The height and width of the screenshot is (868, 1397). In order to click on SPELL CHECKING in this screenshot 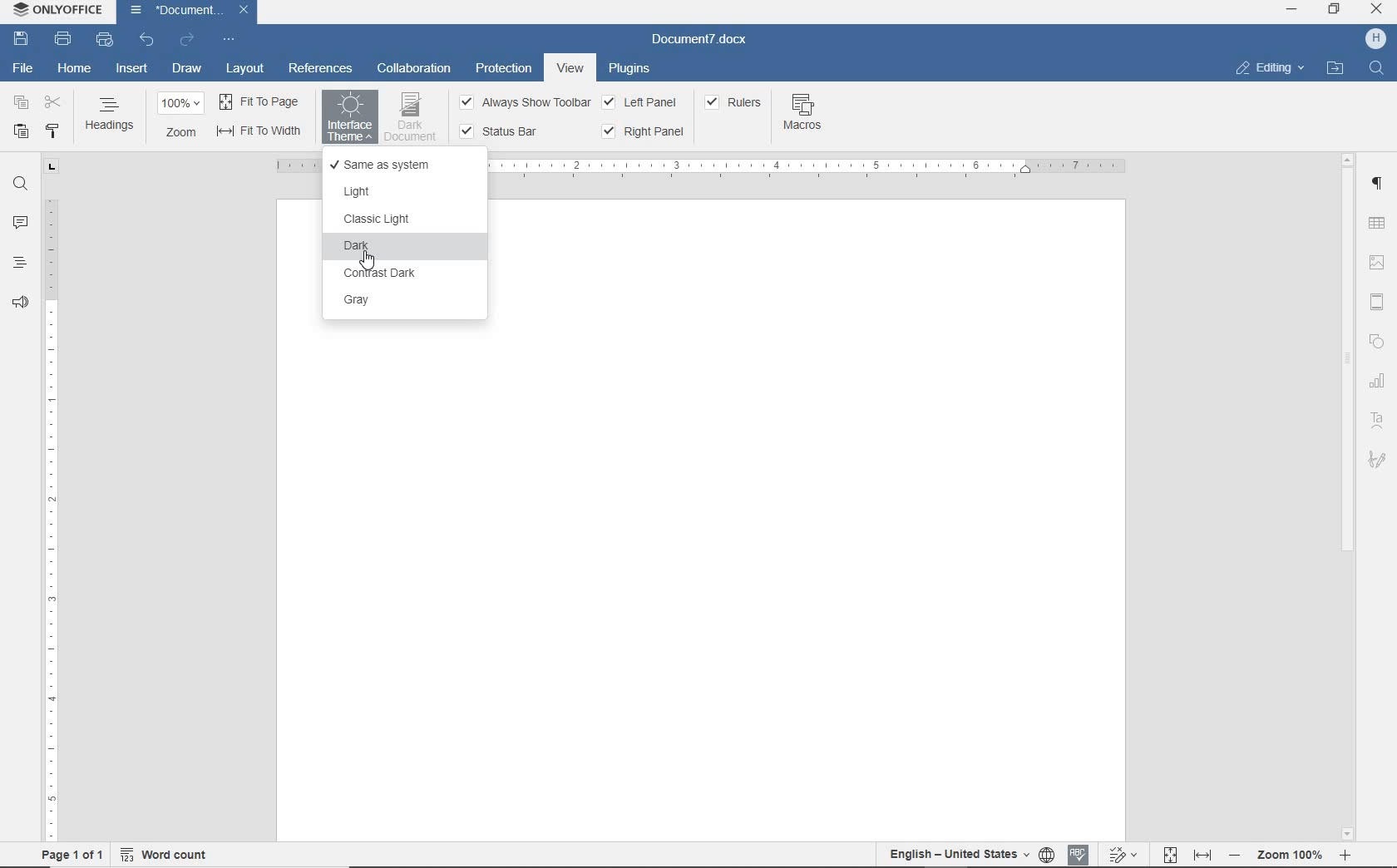, I will do `click(1079, 854)`.